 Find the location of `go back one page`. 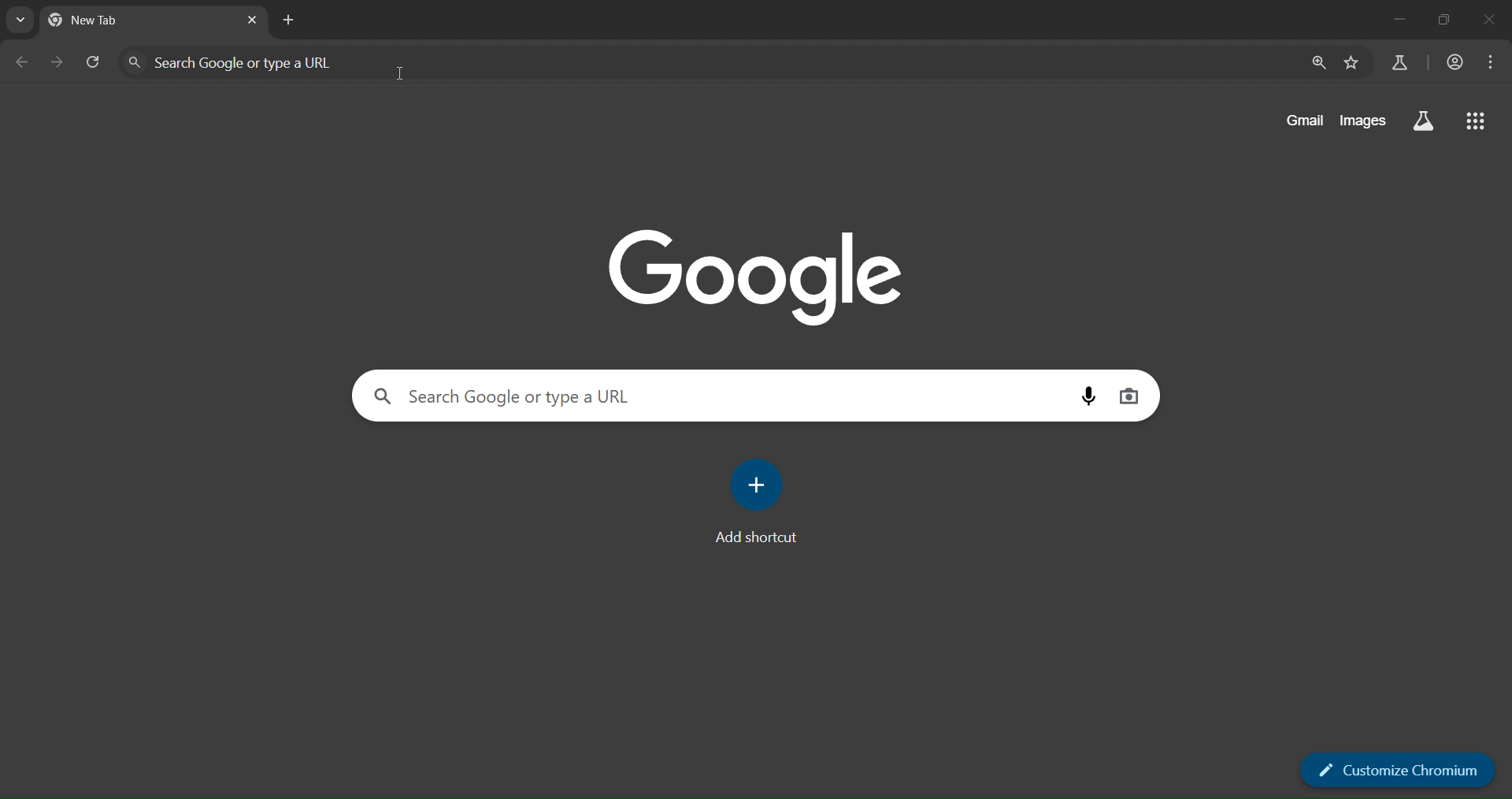

go back one page is located at coordinates (23, 63).